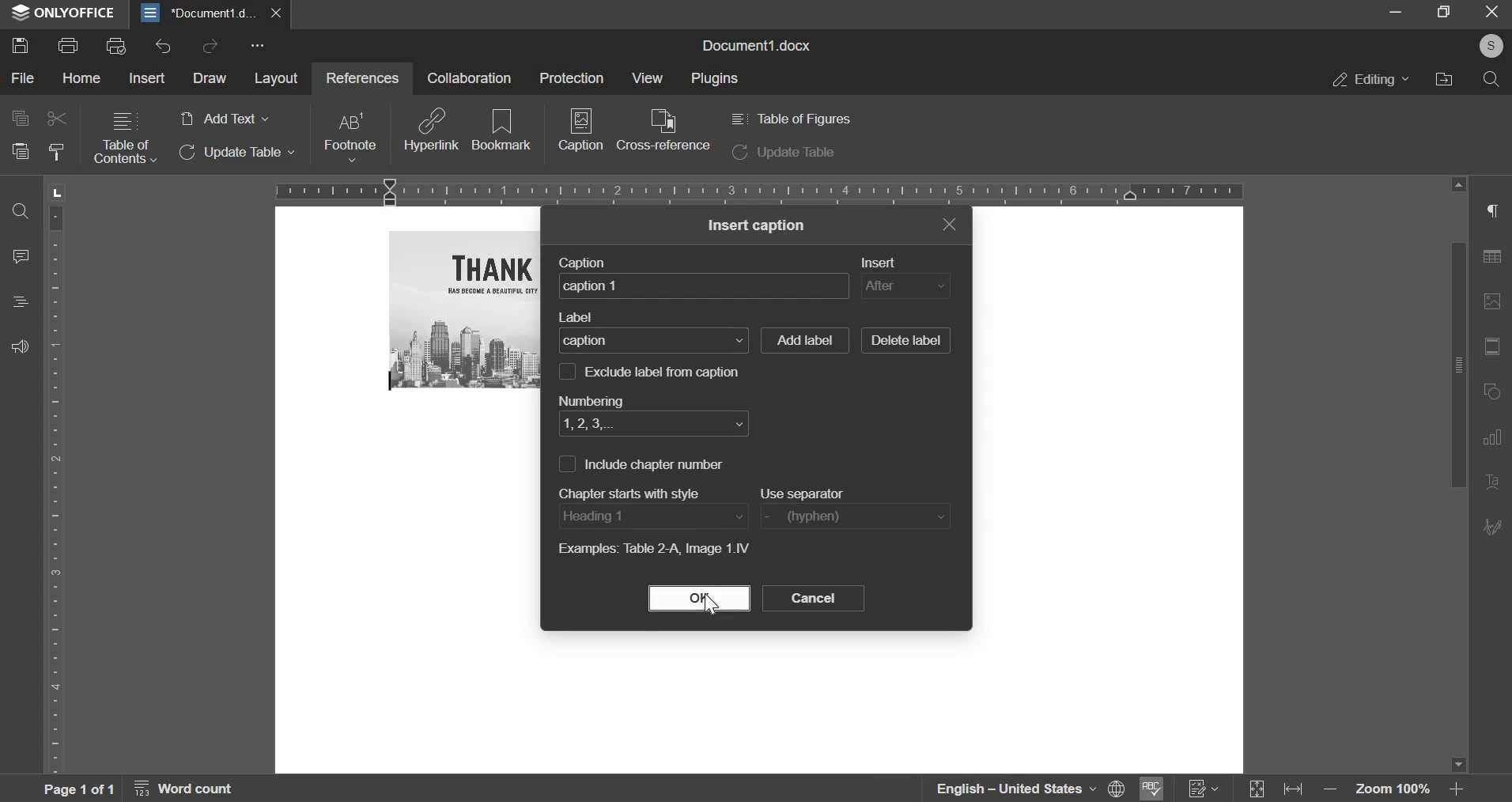  Describe the element at coordinates (193, 791) in the screenshot. I see `word count` at that location.